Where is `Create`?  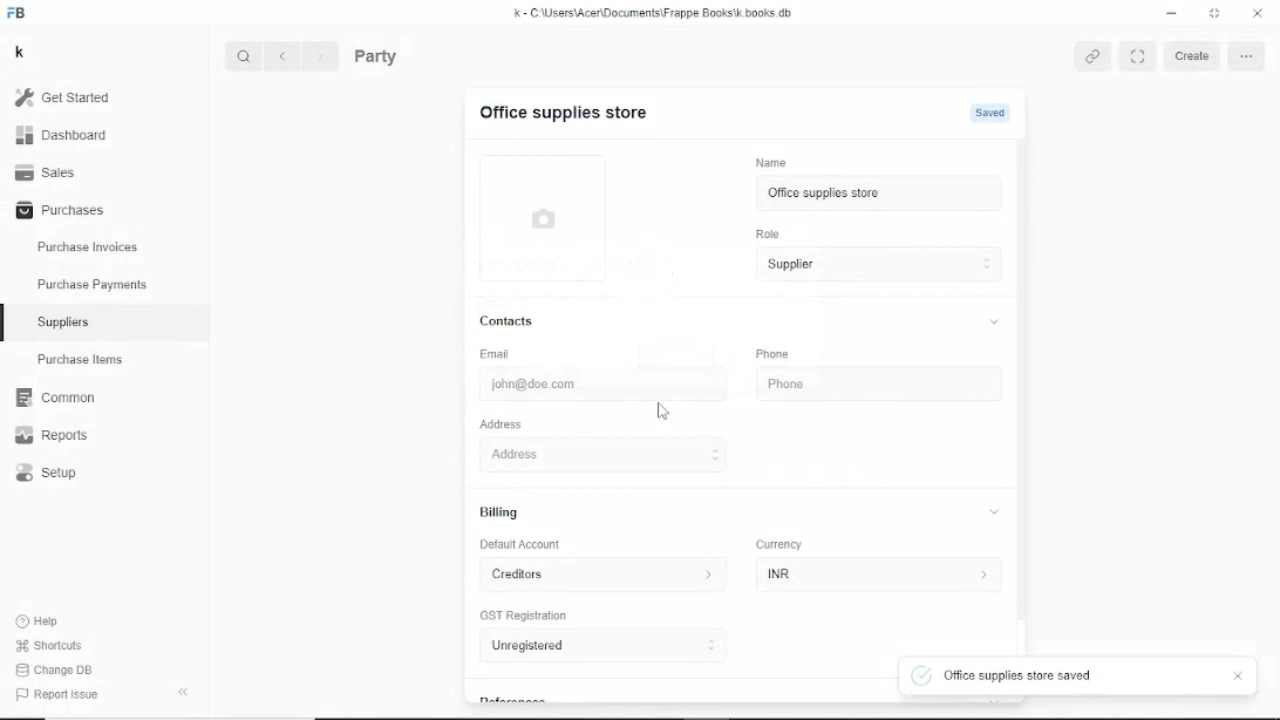
Create is located at coordinates (1196, 56).